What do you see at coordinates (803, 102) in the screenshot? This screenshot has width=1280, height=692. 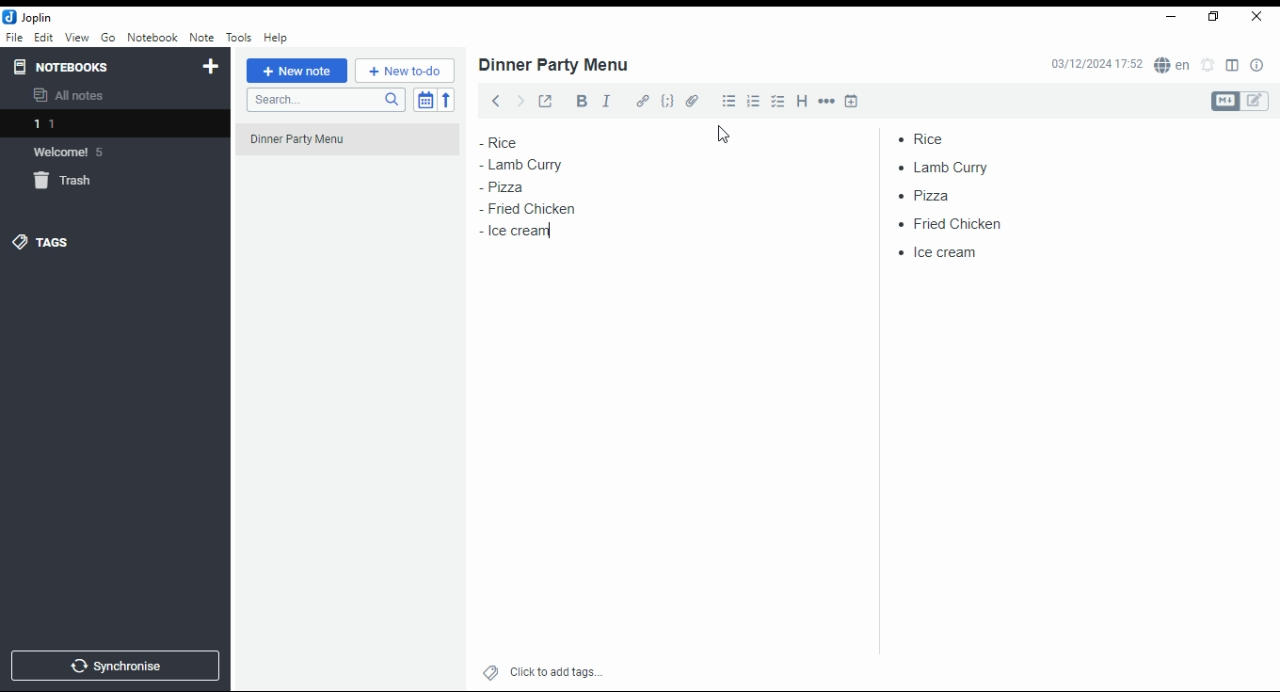 I see `heading` at bounding box center [803, 102].